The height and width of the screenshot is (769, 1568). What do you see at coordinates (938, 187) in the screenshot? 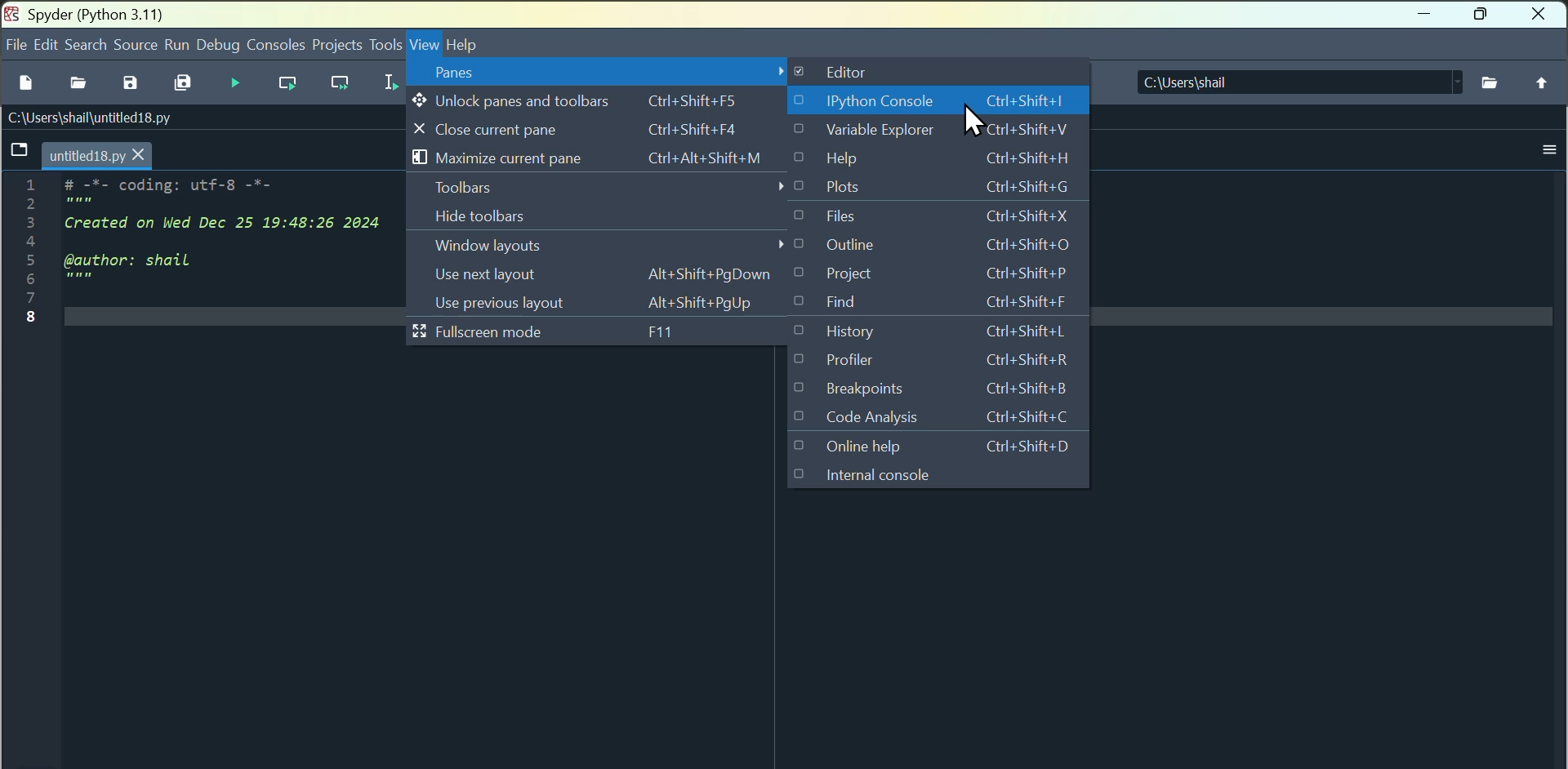
I see `Plots` at bounding box center [938, 187].